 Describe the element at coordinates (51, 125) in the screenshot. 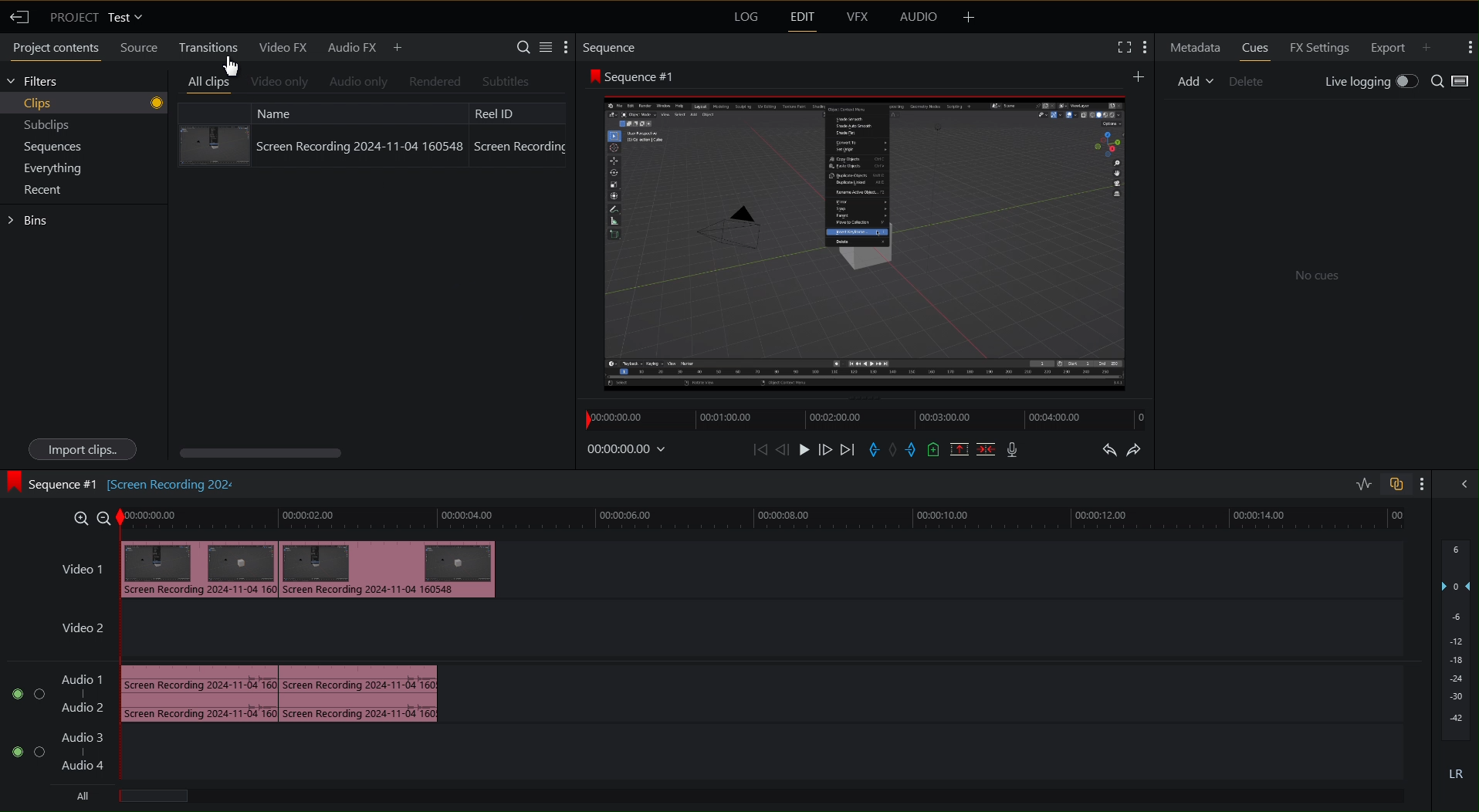

I see `Subclips` at that location.